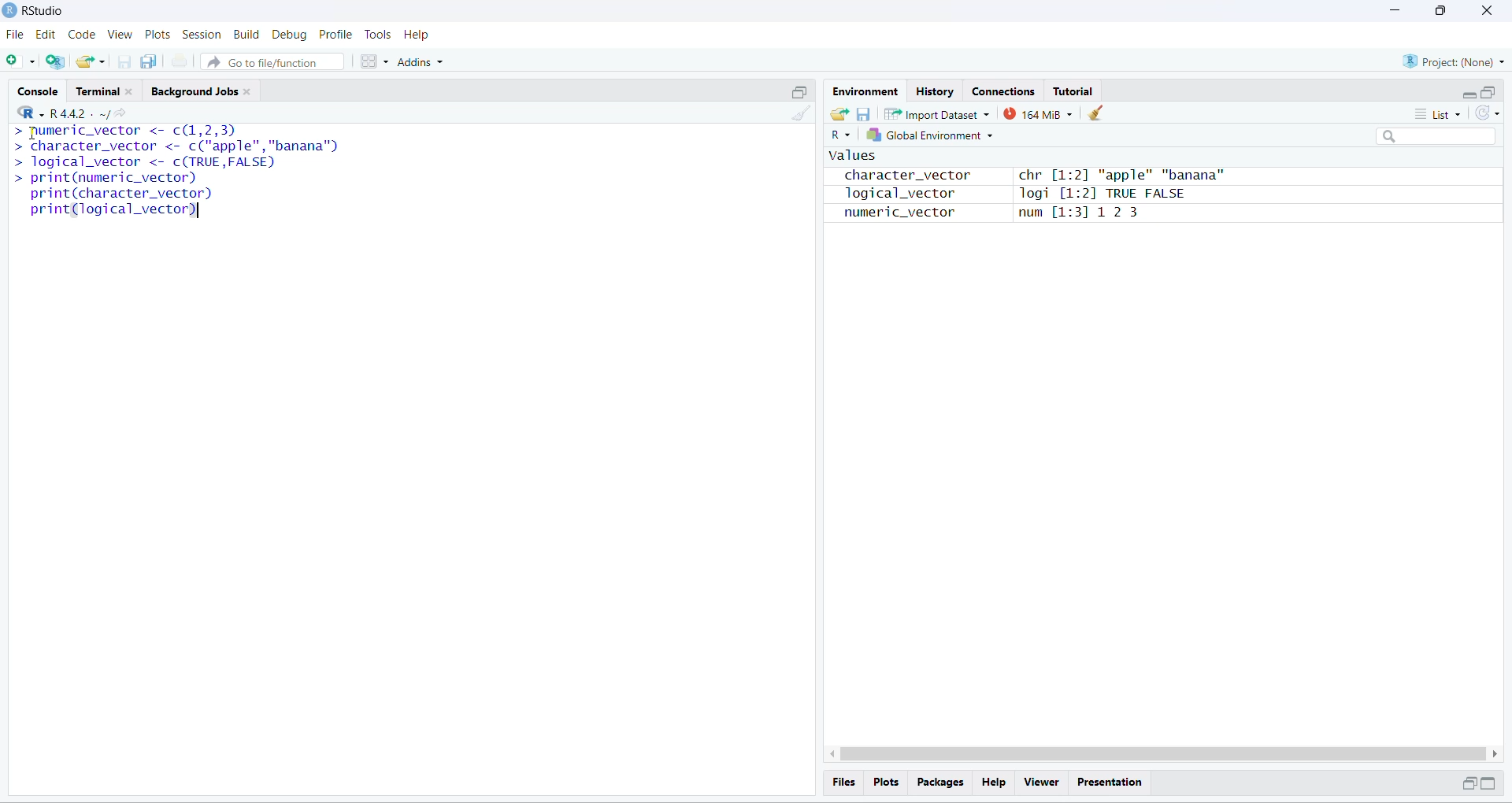  I want to click on maximize, so click(1488, 92).